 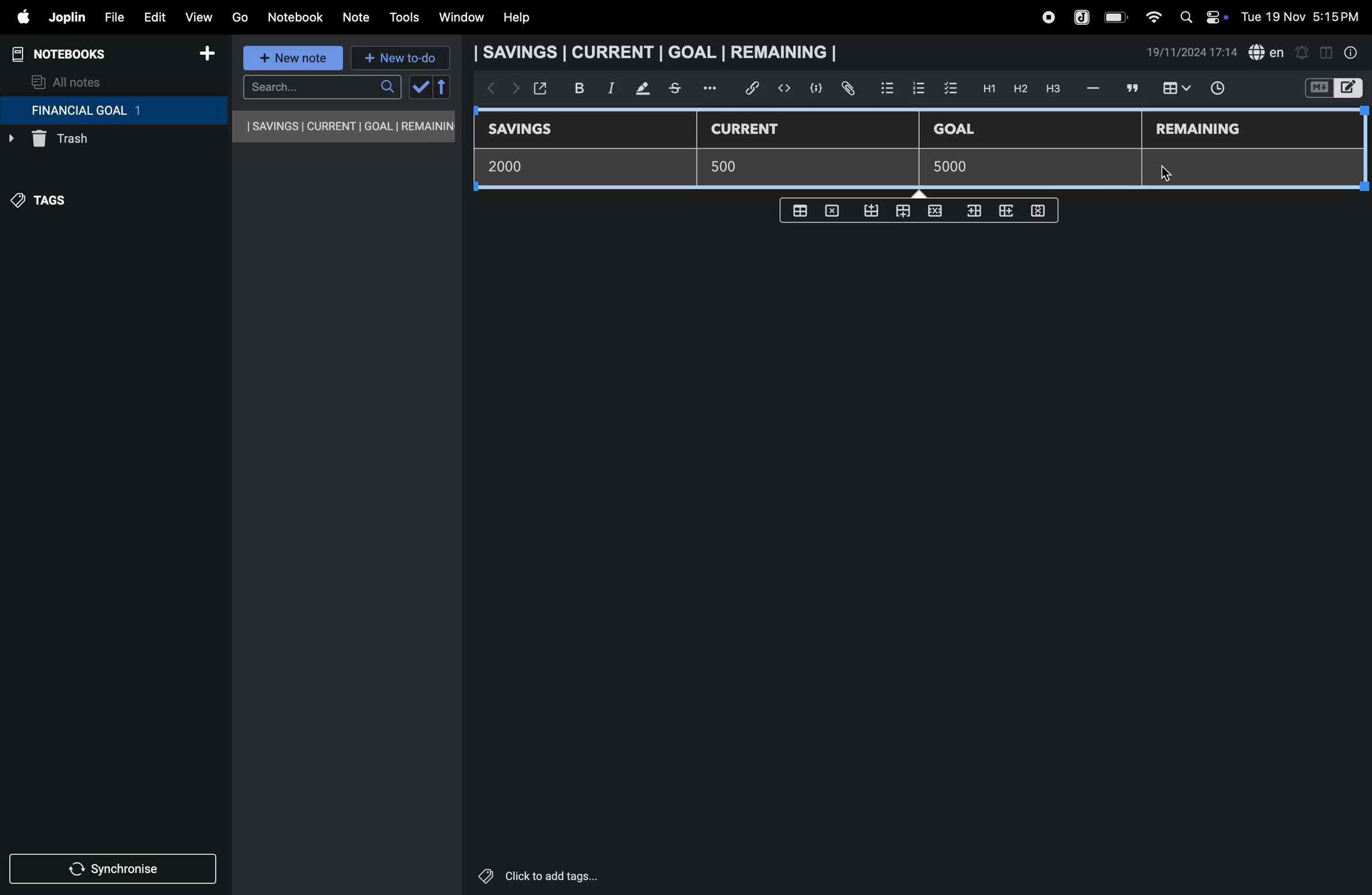 What do you see at coordinates (419, 88) in the screenshot?
I see `check` at bounding box center [419, 88].